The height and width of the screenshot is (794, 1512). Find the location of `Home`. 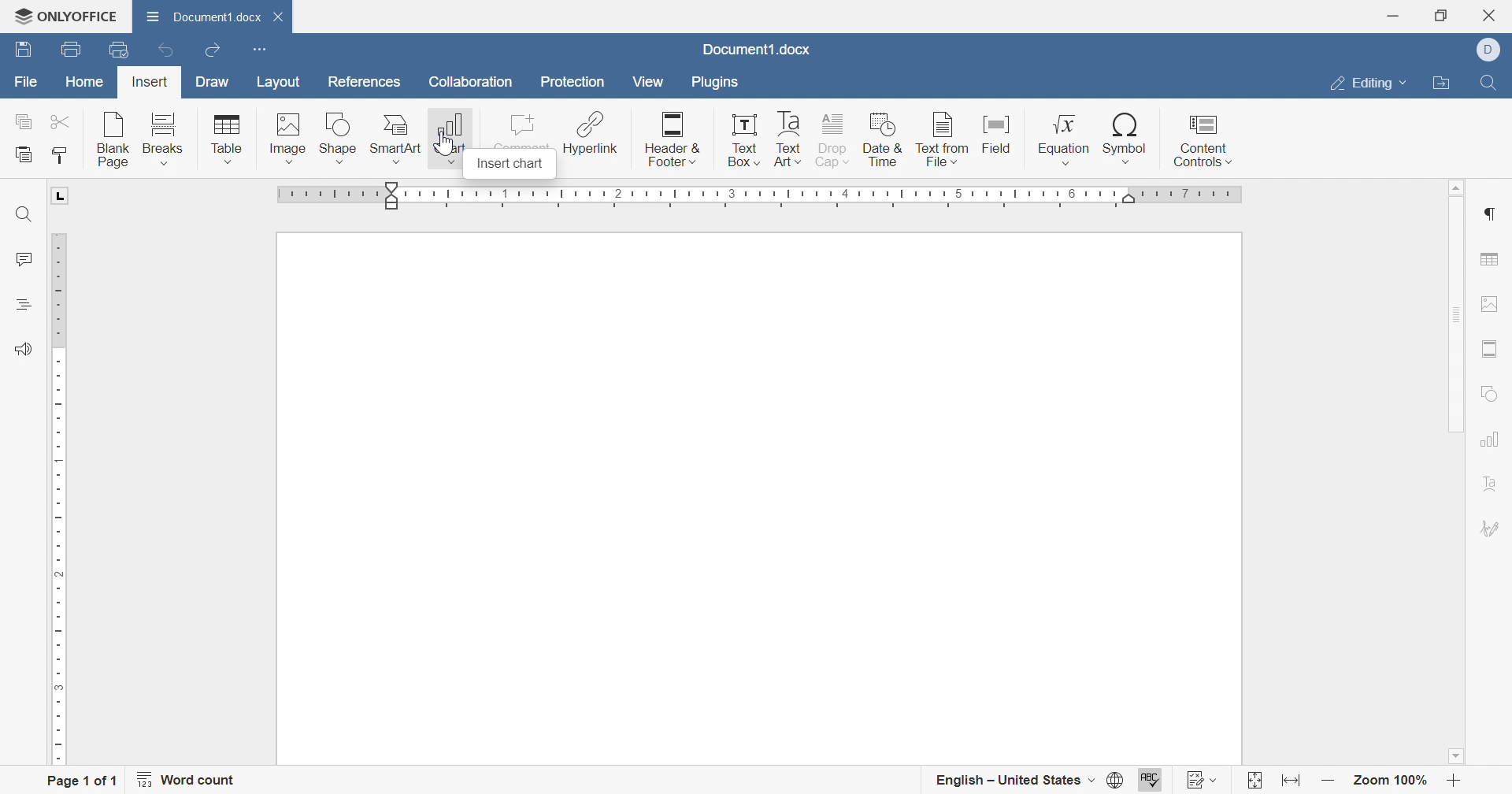

Home is located at coordinates (83, 83).